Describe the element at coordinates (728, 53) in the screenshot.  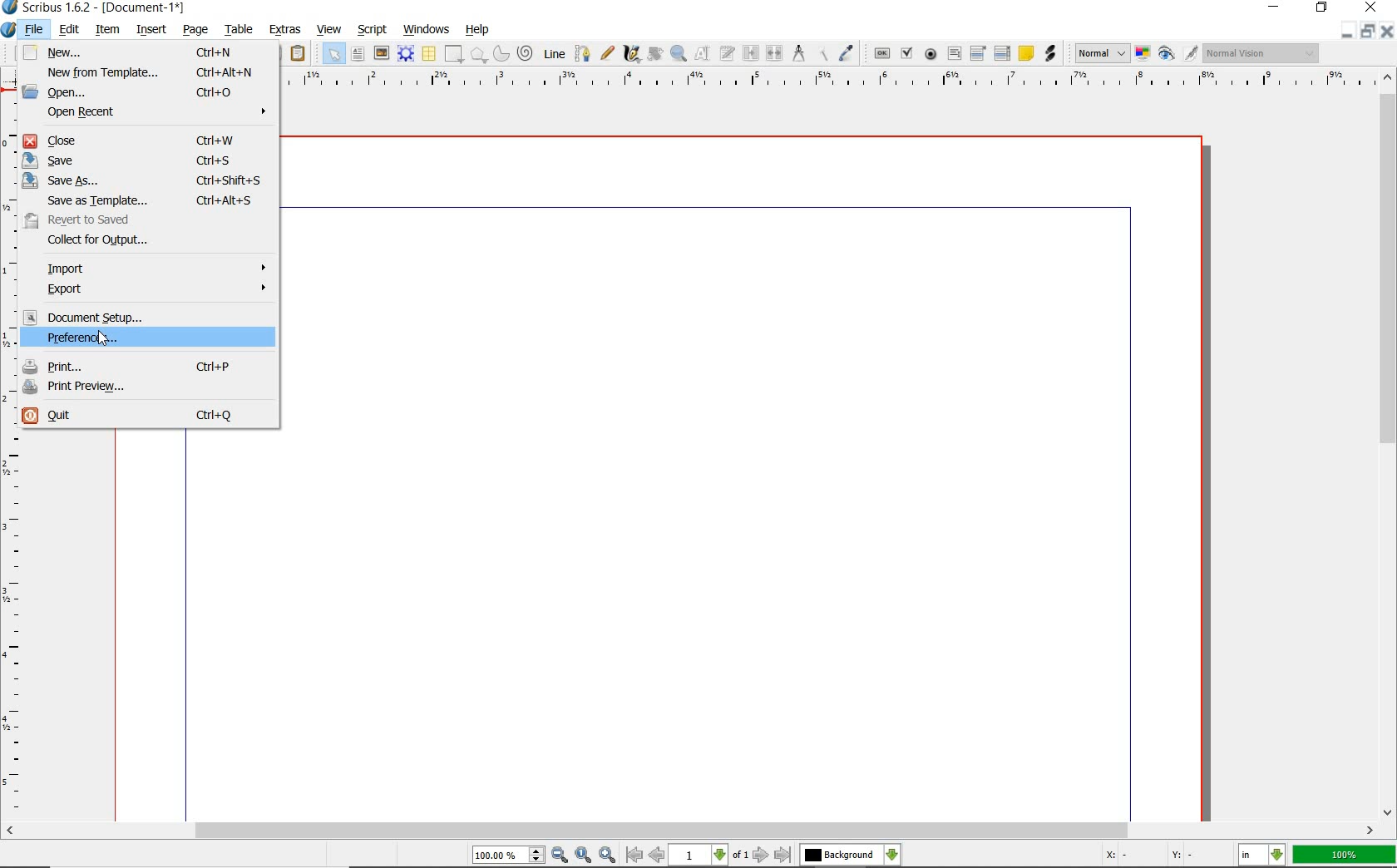
I see `edit text with story editor` at that location.